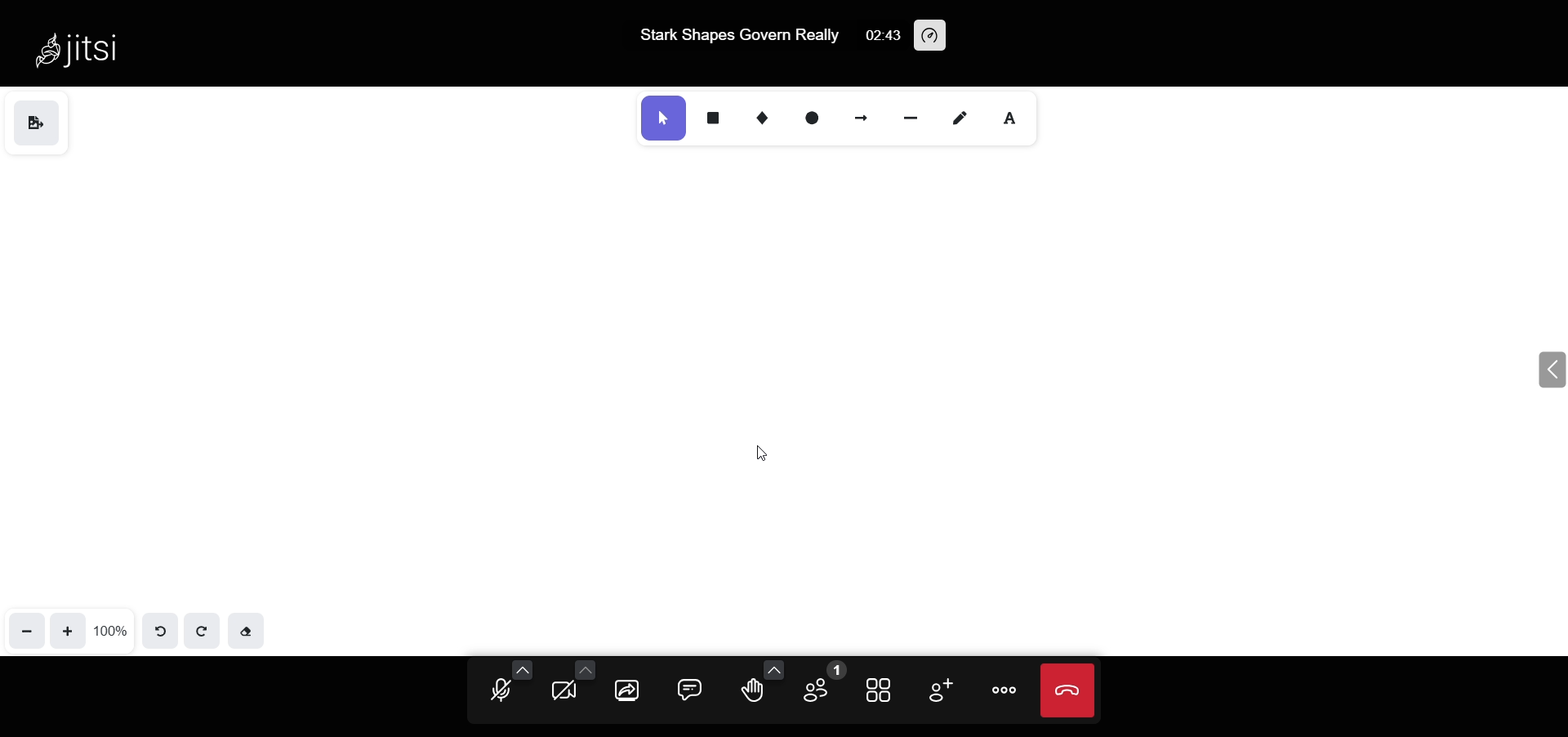 This screenshot has width=1568, height=737. Describe the element at coordinates (1067, 690) in the screenshot. I see `leave meeting` at that location.